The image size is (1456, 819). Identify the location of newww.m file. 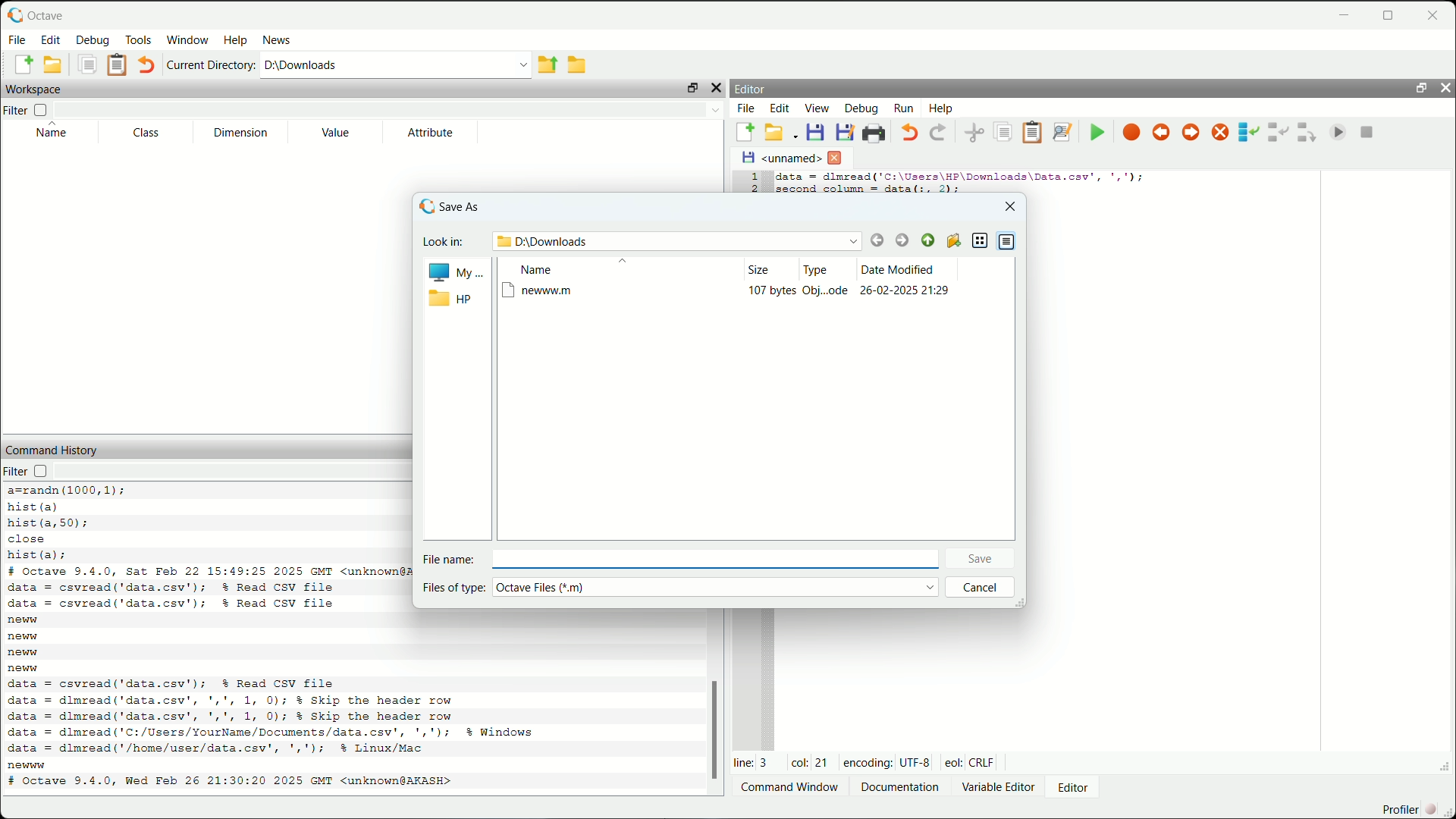
(746, 293).